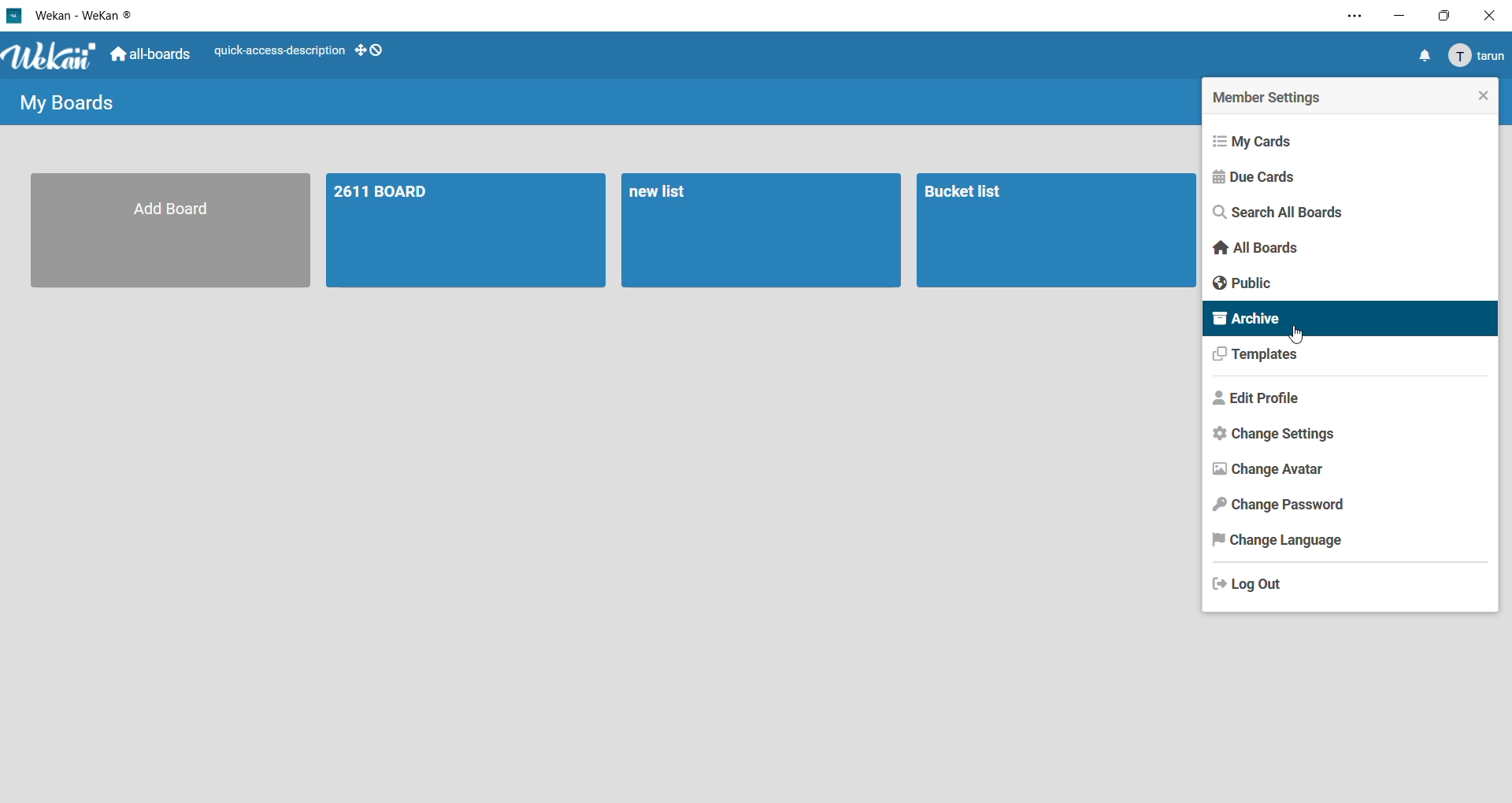  I want to click on member settings, so click(1269, 96).